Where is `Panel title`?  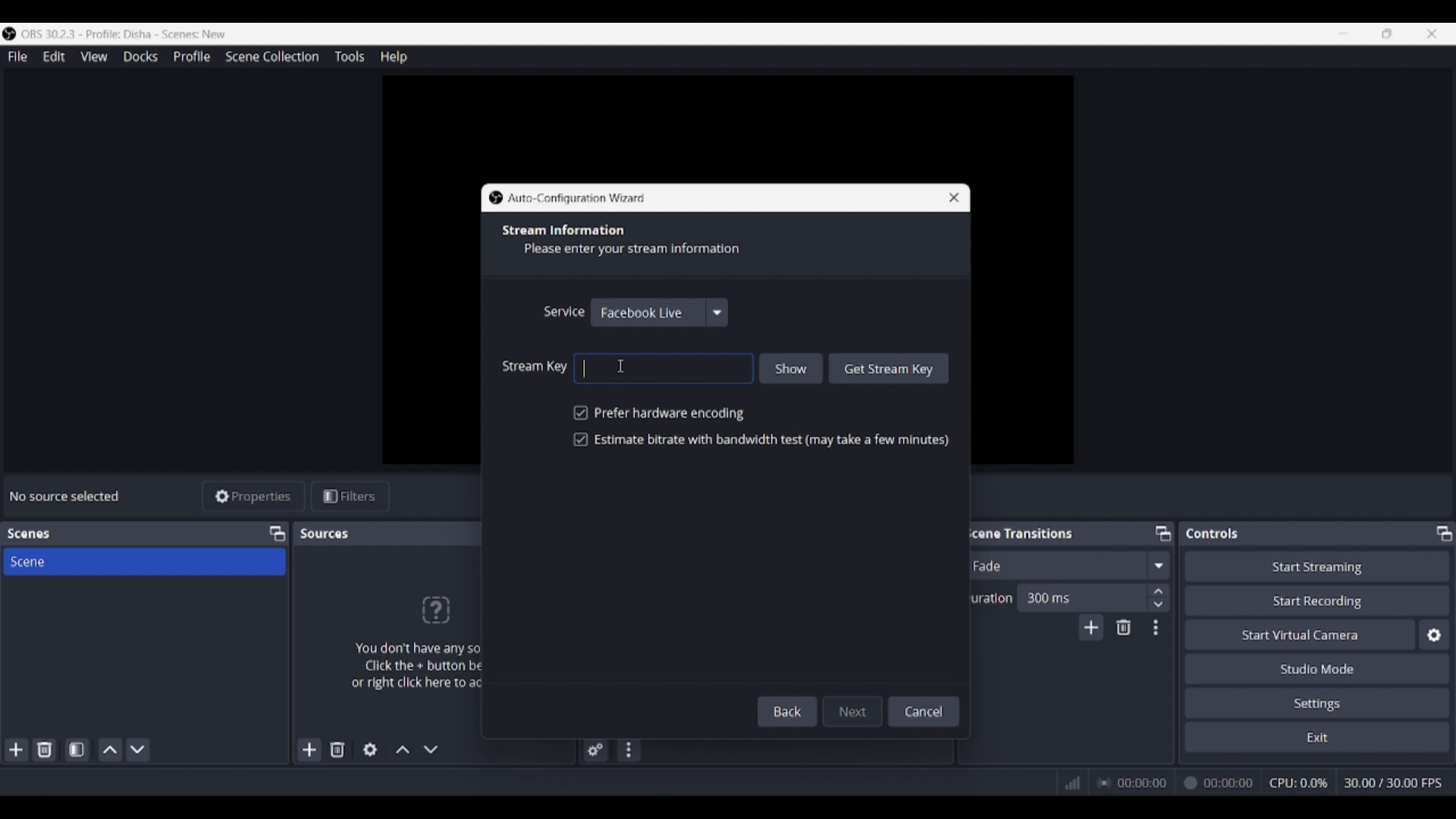
Panel title is located at coordinates (326, 533).